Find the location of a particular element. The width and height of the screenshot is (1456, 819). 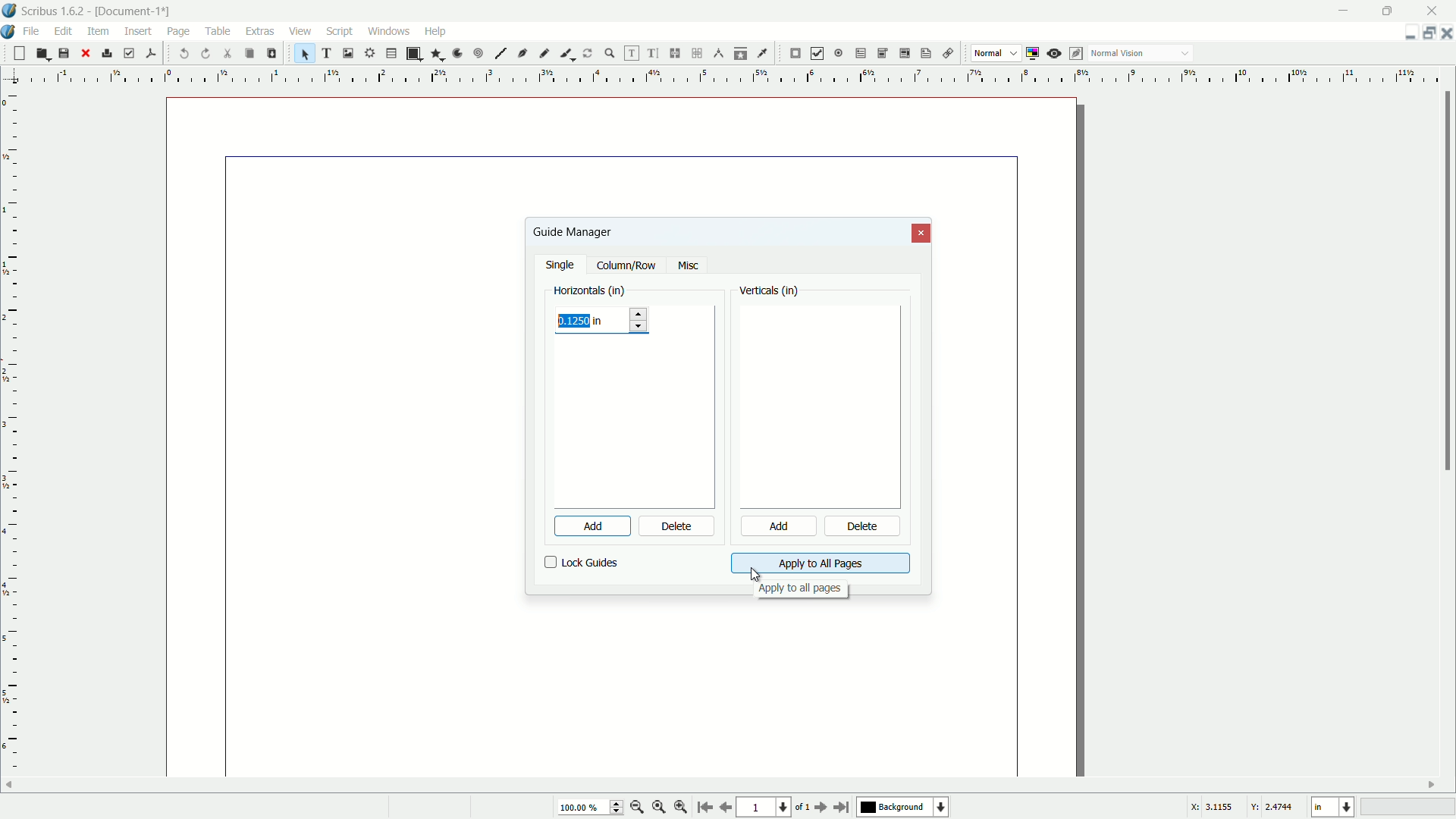

delete is located at coordinates (677, 527).